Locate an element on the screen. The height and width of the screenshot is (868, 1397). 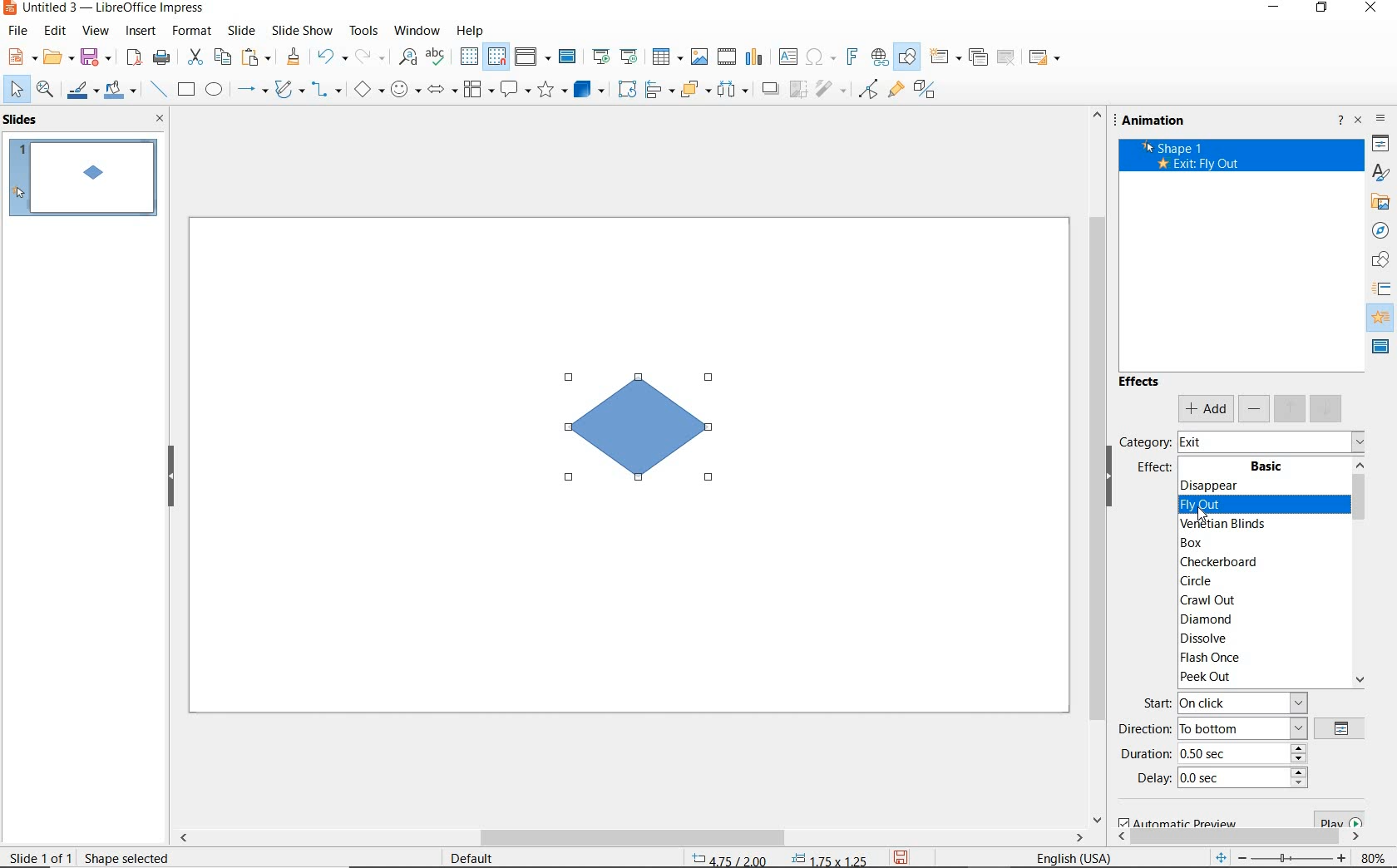
annimation is located at coordinates (1173, 122).